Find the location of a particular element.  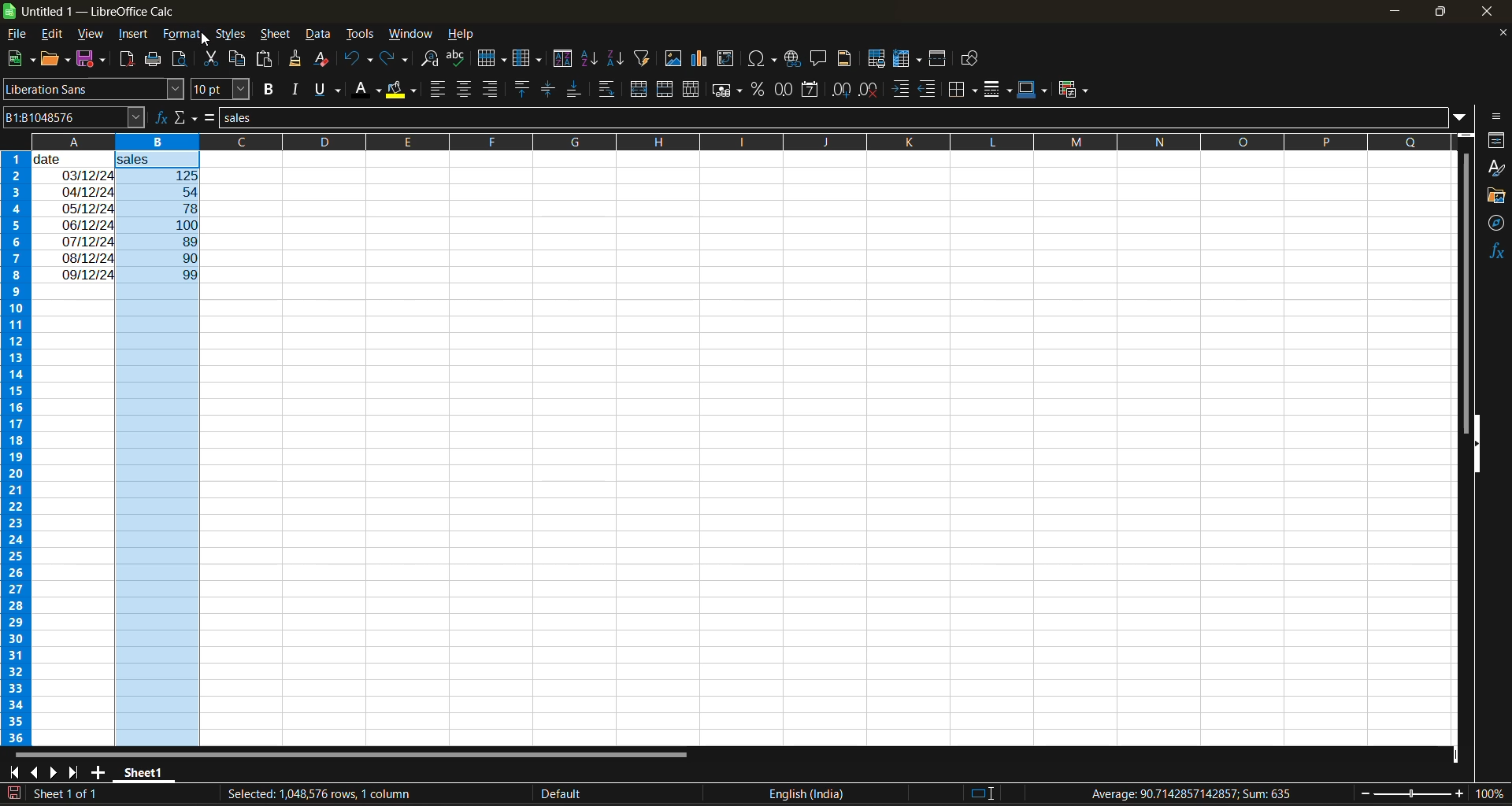

border style is located at coordinates (999, 91).